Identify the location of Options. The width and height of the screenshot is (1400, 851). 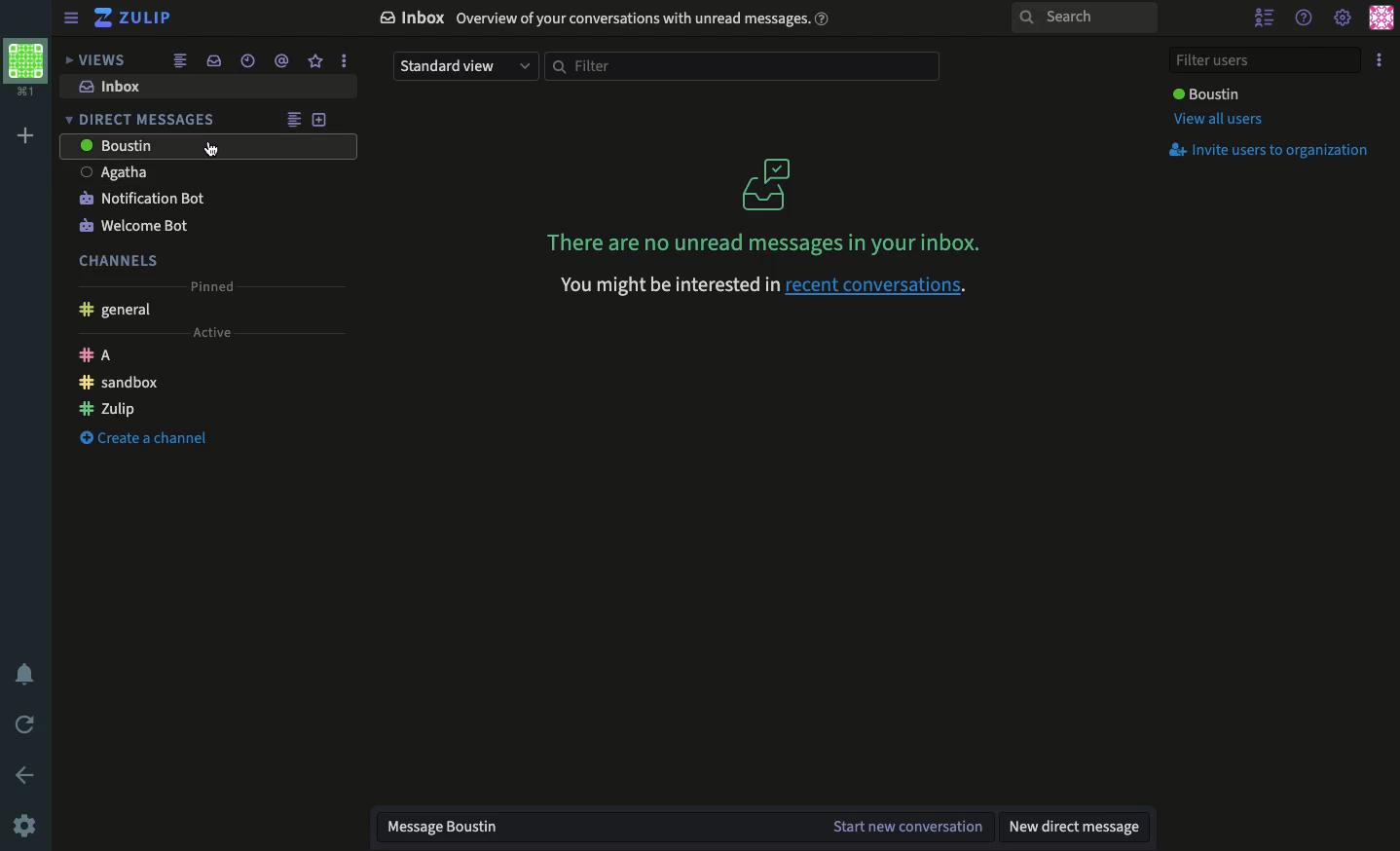
(1381, 62).